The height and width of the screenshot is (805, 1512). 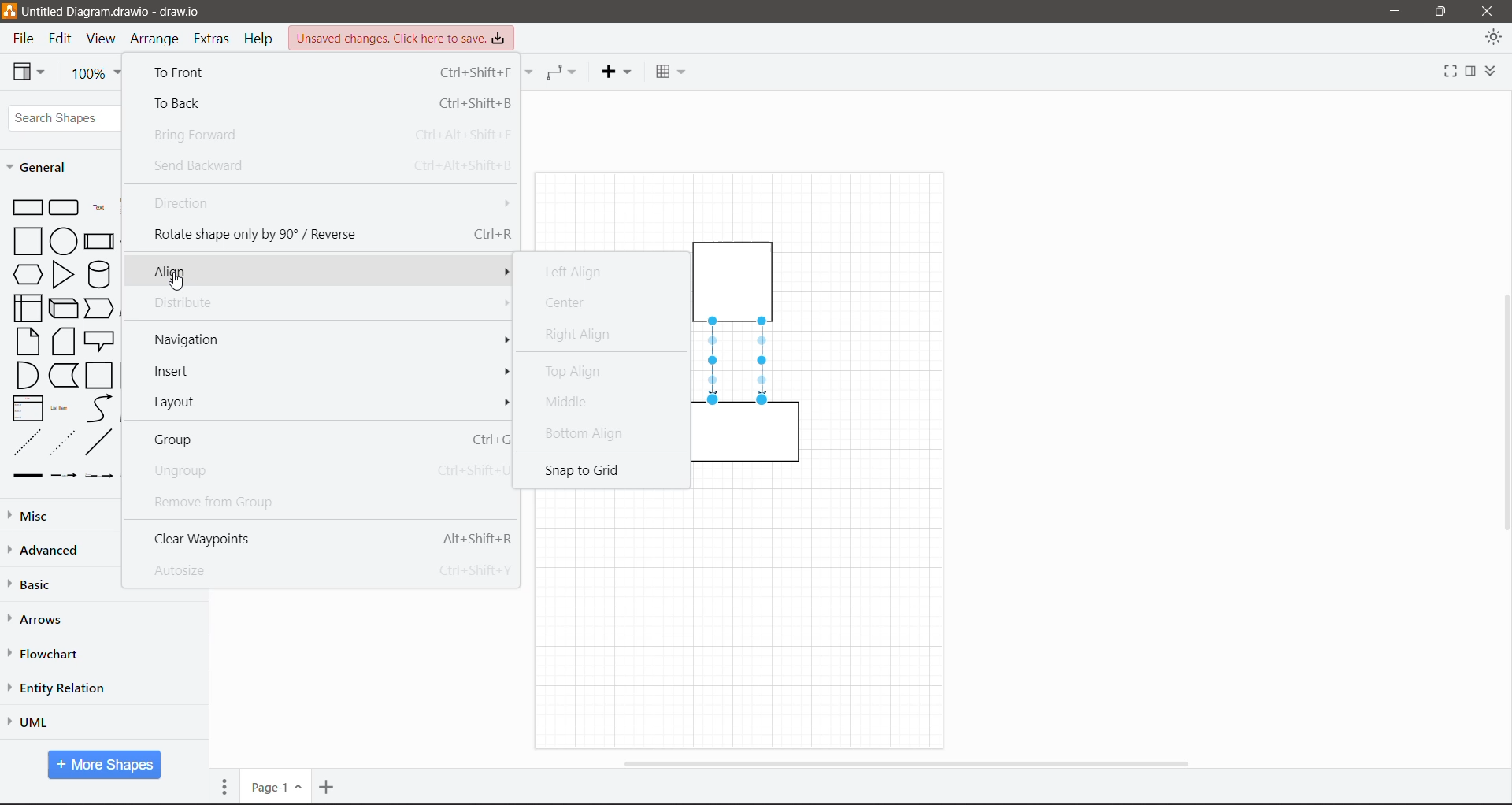 I want to click on List, so click(x=25, y=407).